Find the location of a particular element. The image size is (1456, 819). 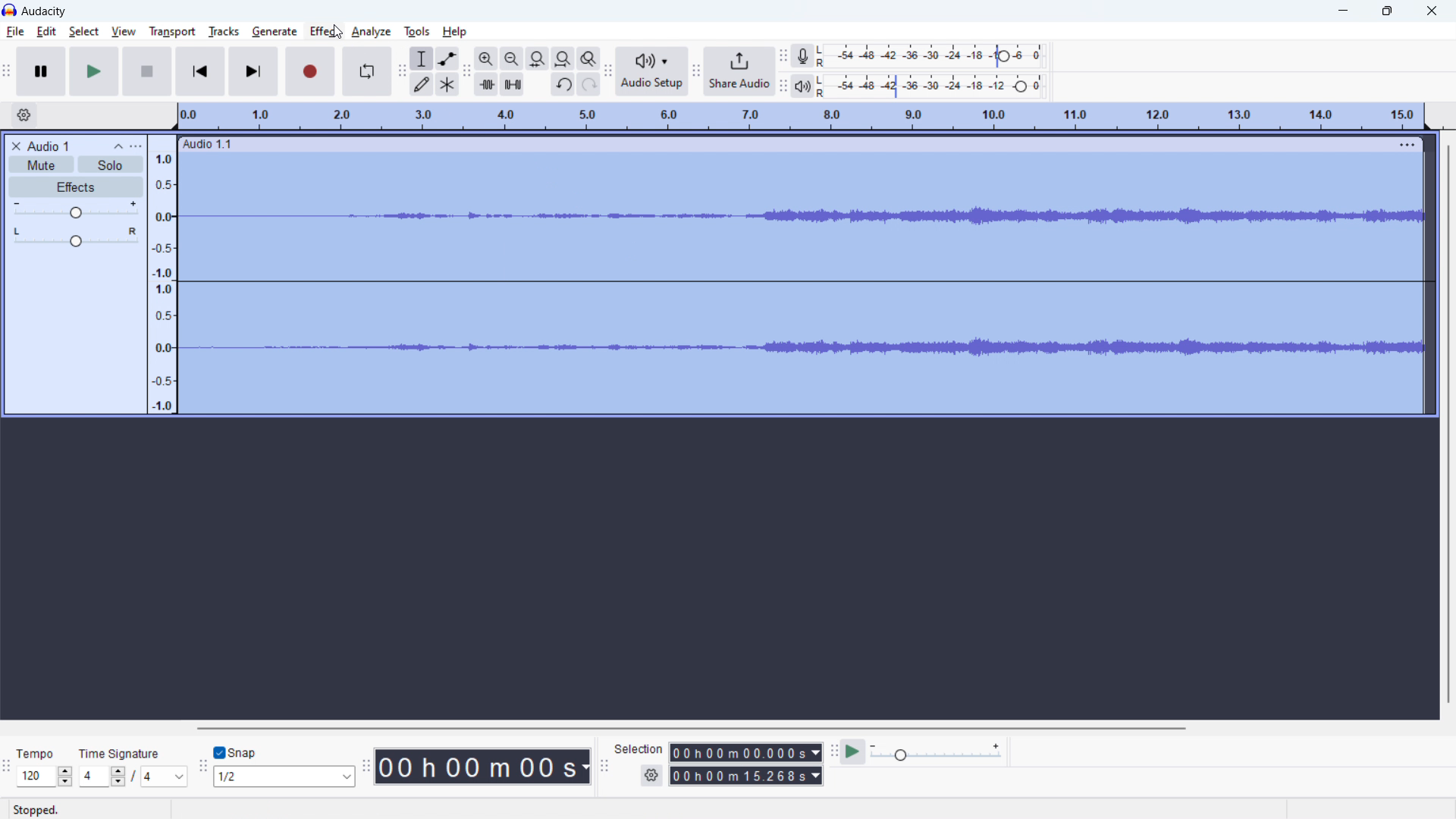

audio track selected is located at coordinates (805, 285).